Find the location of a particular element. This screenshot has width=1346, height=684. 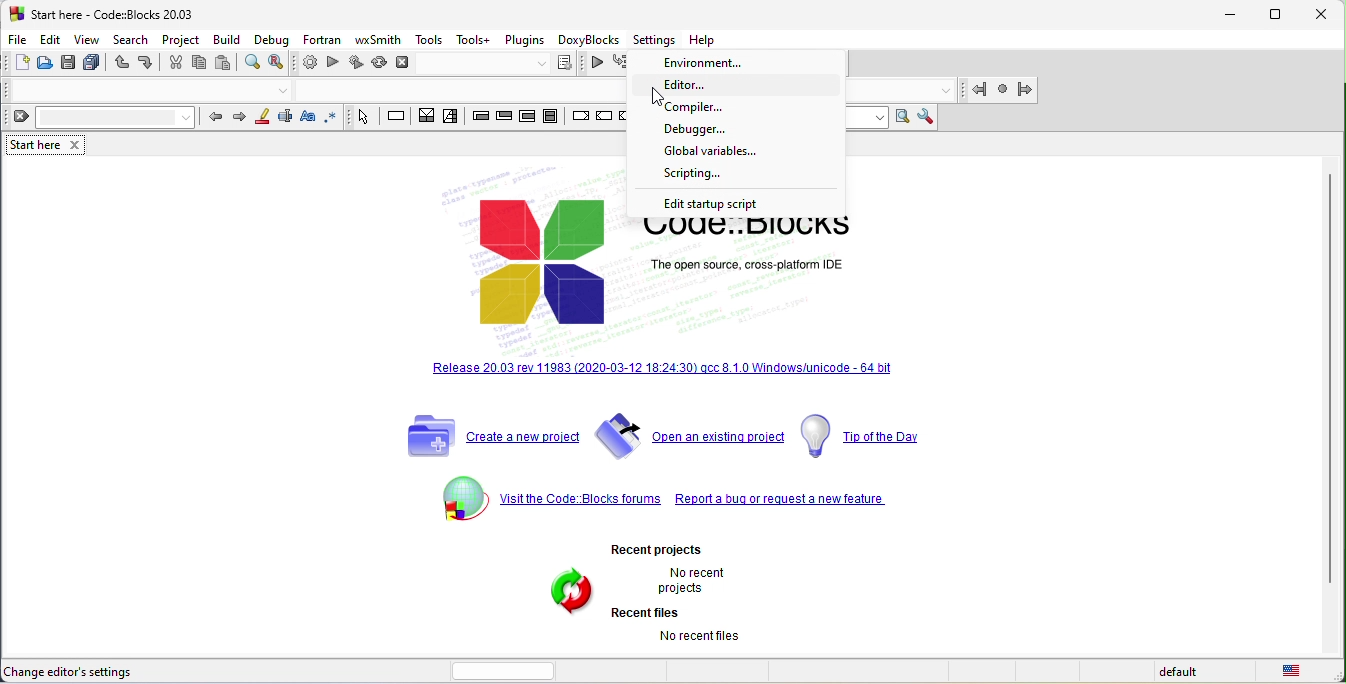

start here-code blocks-20 03 is located at coordinates (131, 14).